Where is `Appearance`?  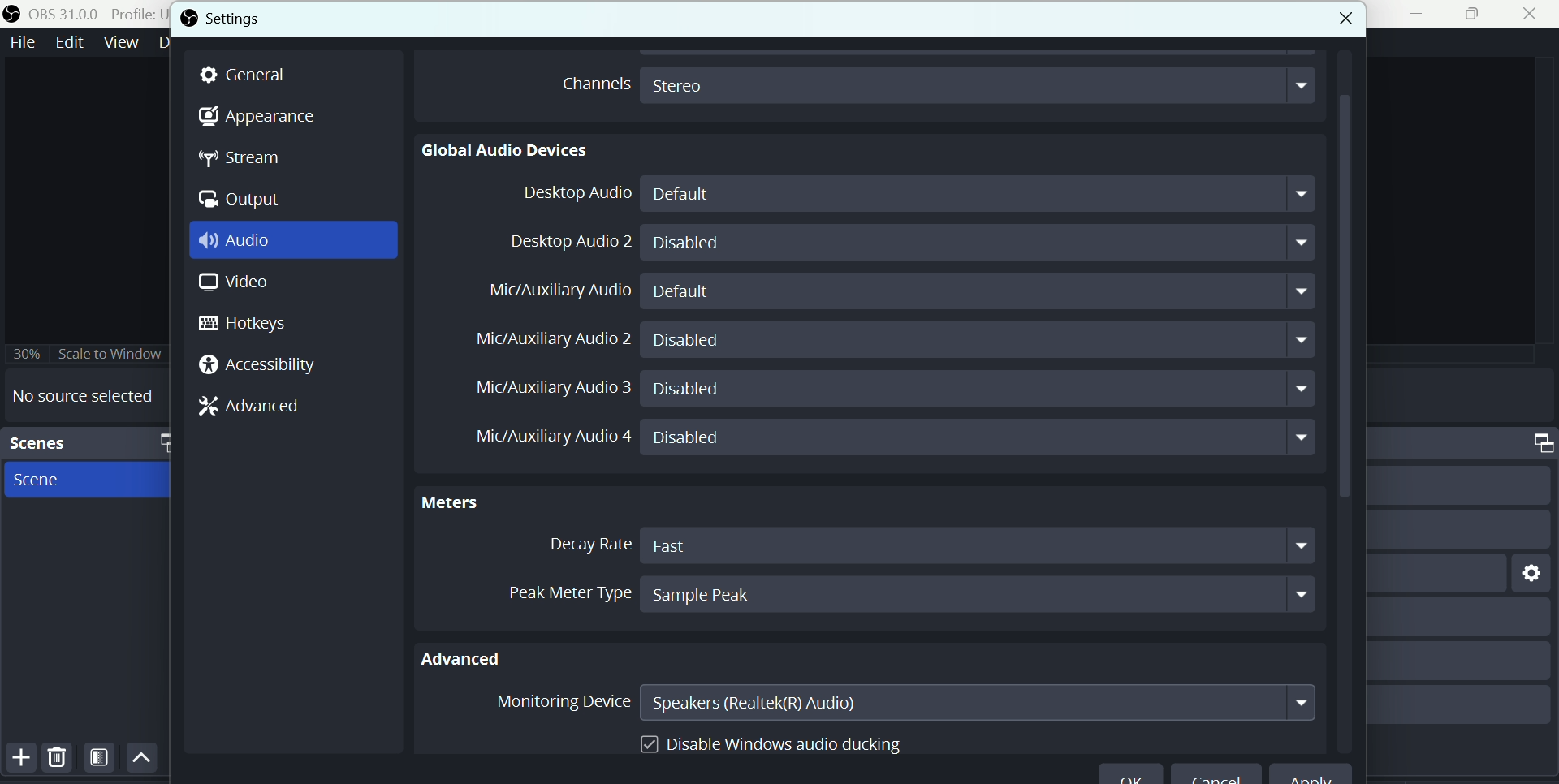 Appearance is located at coordinates (259, 118).